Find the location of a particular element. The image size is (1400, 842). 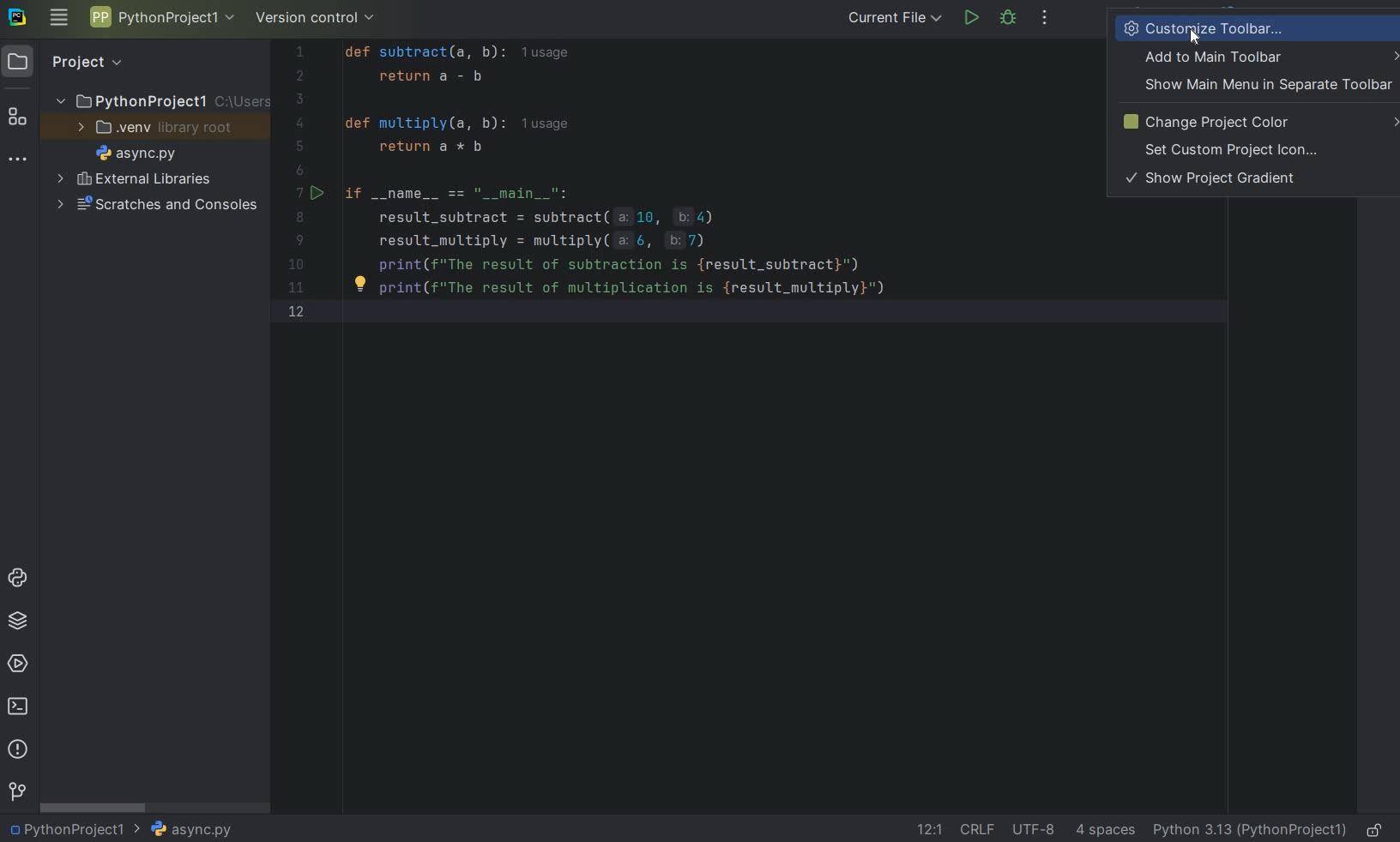

STRUCTURE is located at coordinates (19, 119).